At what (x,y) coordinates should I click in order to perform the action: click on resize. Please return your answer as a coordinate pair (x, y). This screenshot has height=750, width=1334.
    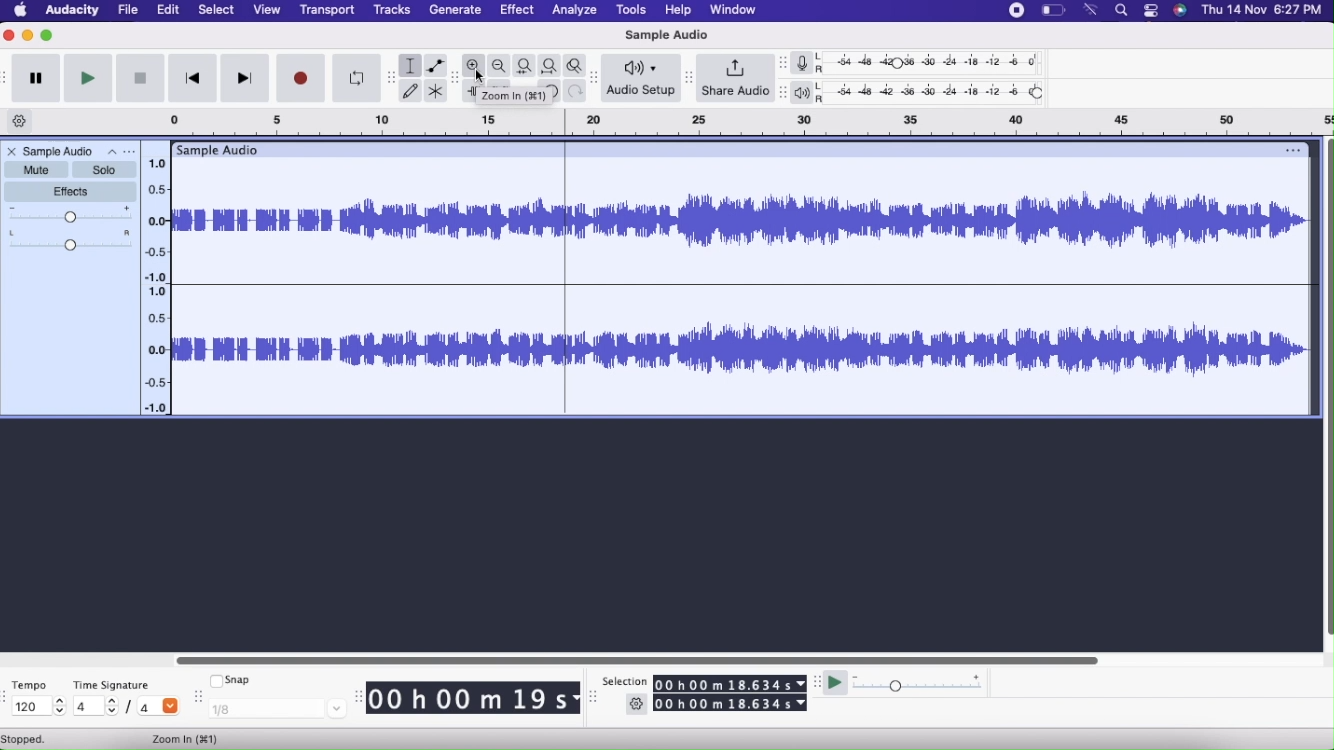
    Looking at the image, I should click on (385, 76).